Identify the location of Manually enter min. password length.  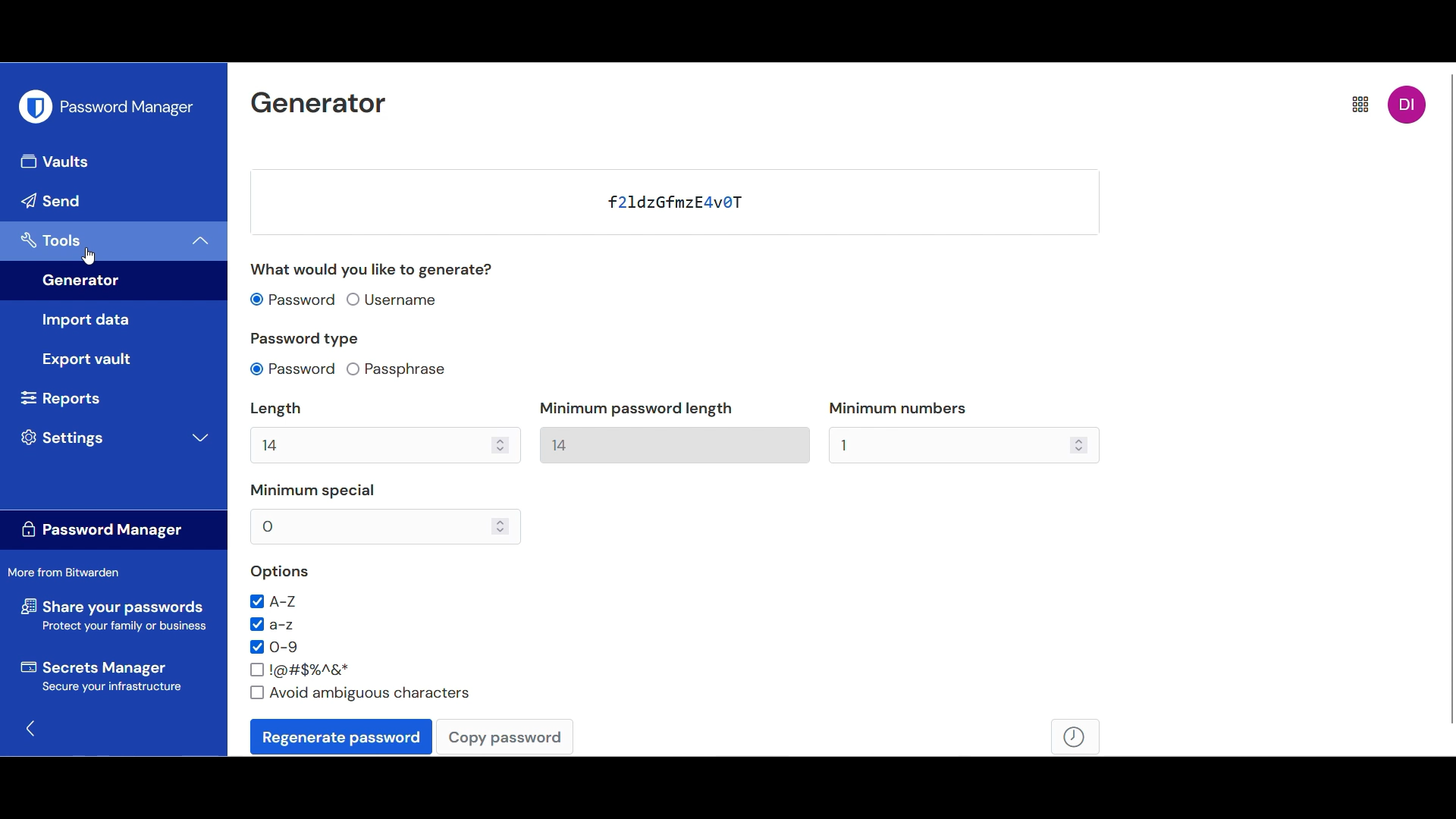
(675, 446).